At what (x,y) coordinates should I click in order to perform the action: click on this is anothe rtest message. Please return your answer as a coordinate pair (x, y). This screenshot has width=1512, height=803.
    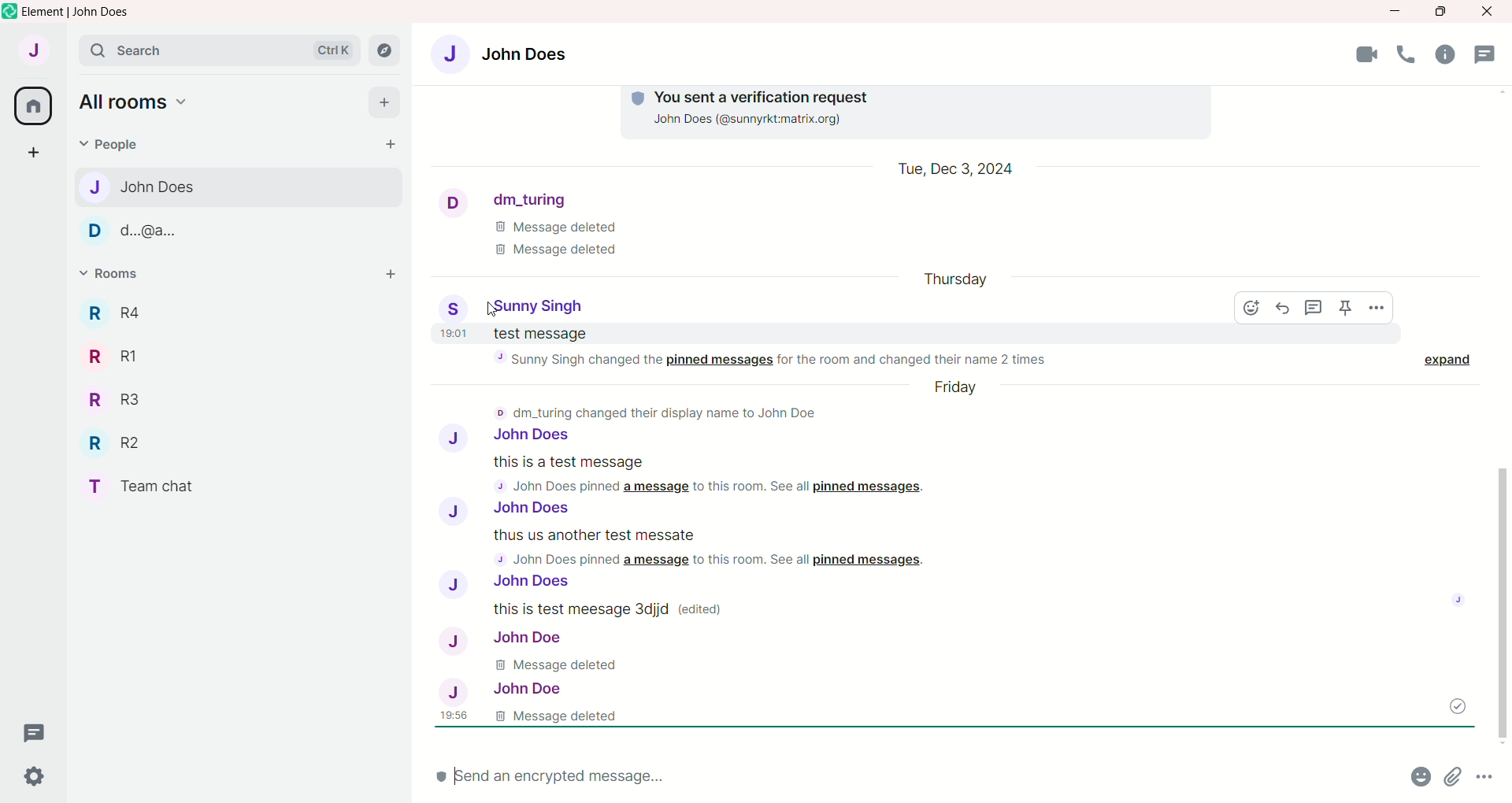
    Looking at the image, I should click on (703, 548).